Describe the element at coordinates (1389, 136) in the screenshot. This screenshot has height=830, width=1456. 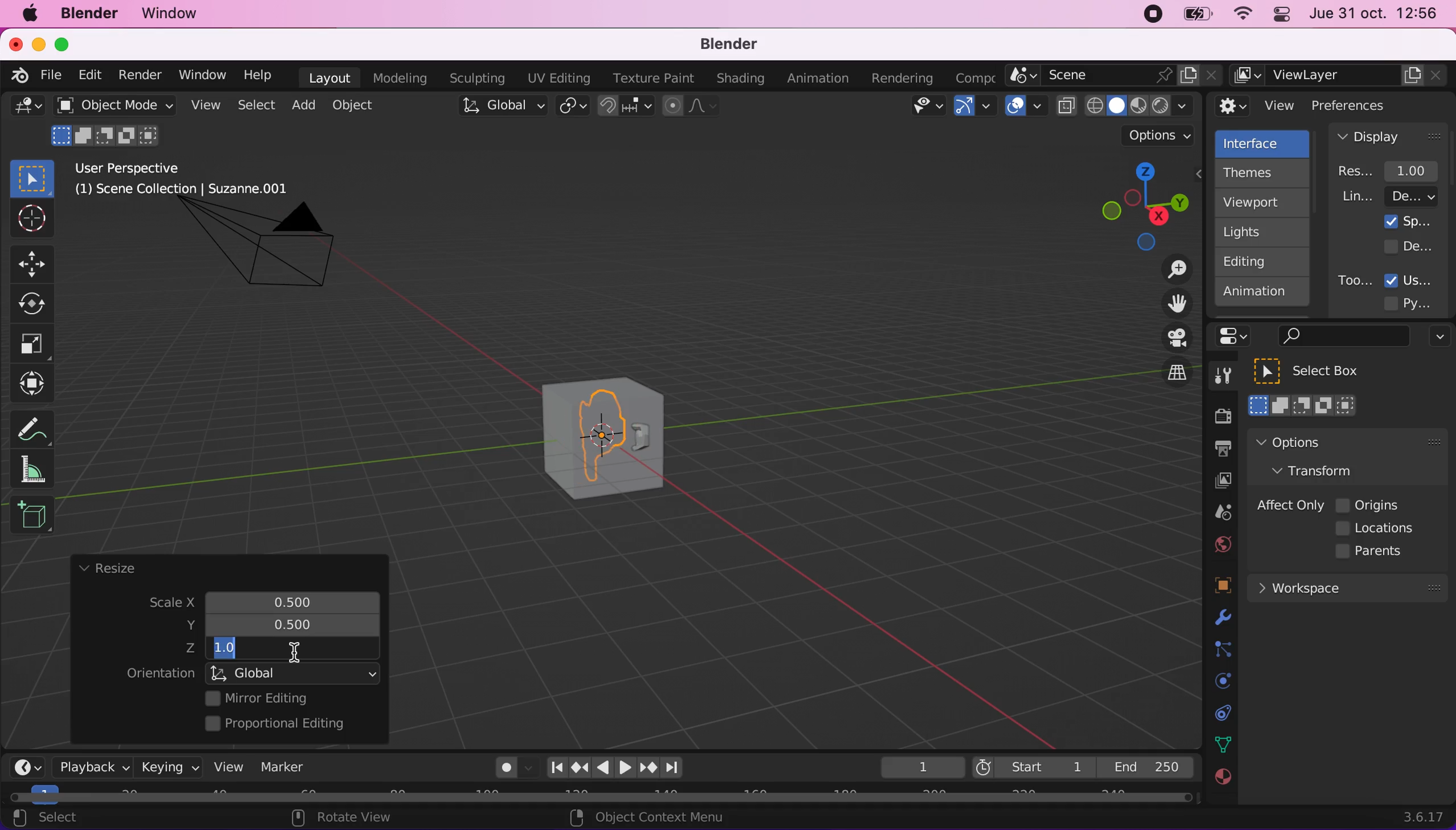
I see `display panel` at that location.